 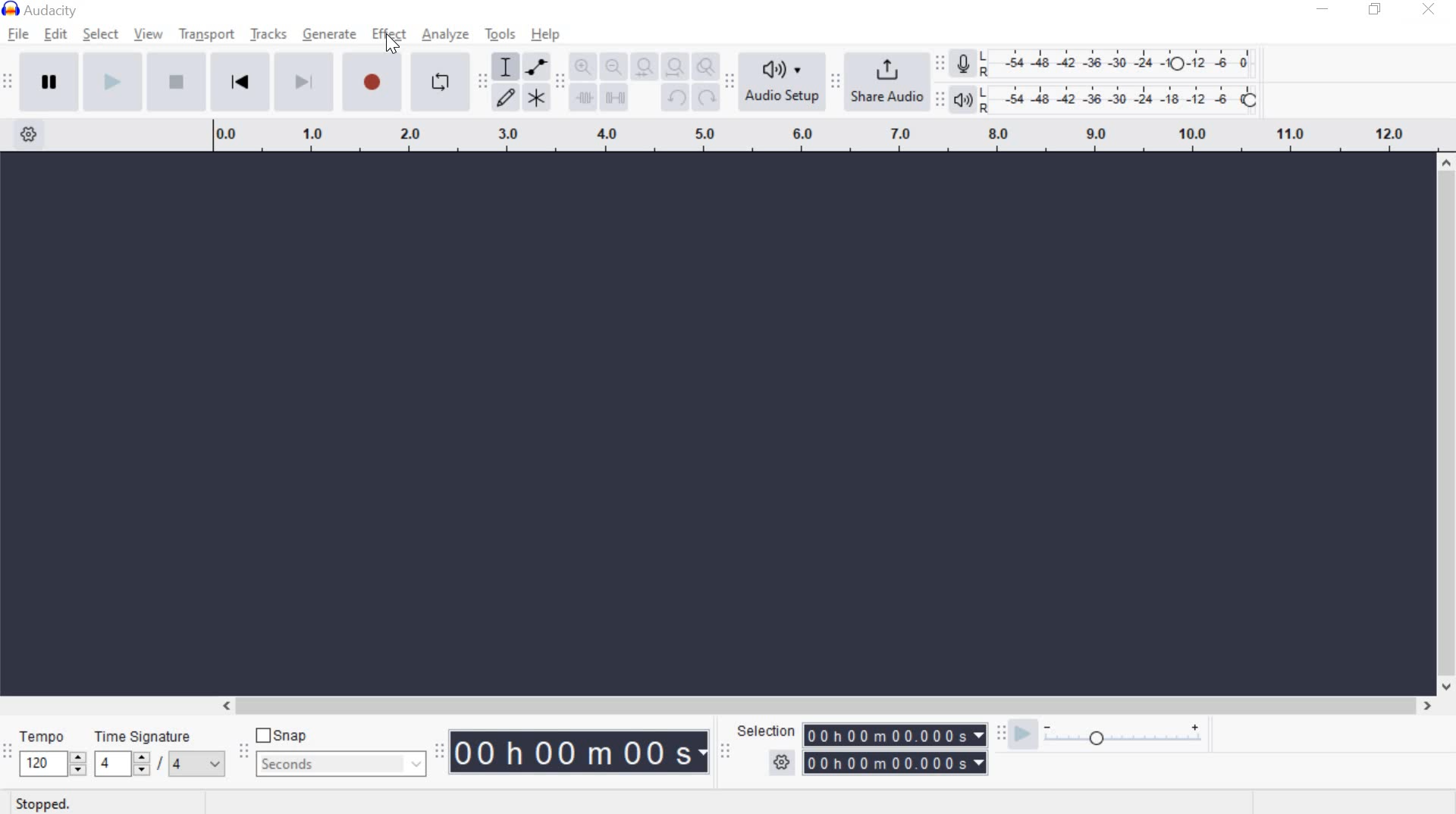 What do you see at coordinates (158, 756) in the screenshot?
I see `Time signature` at bounding box center [158, 756].